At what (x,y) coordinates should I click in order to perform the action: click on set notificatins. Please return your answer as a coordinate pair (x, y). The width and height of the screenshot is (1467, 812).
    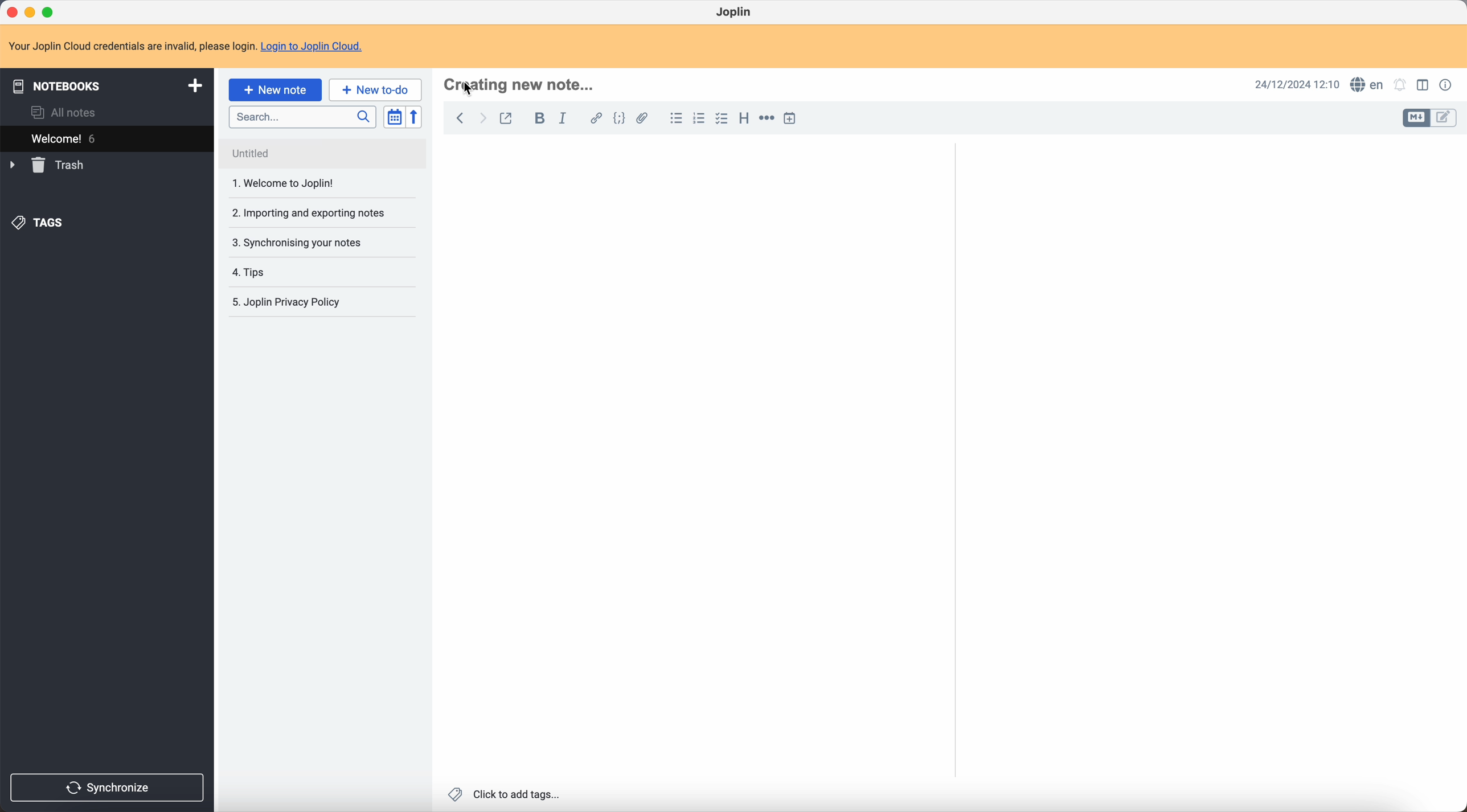
    Looking at the image, I should click on (1400, 86).